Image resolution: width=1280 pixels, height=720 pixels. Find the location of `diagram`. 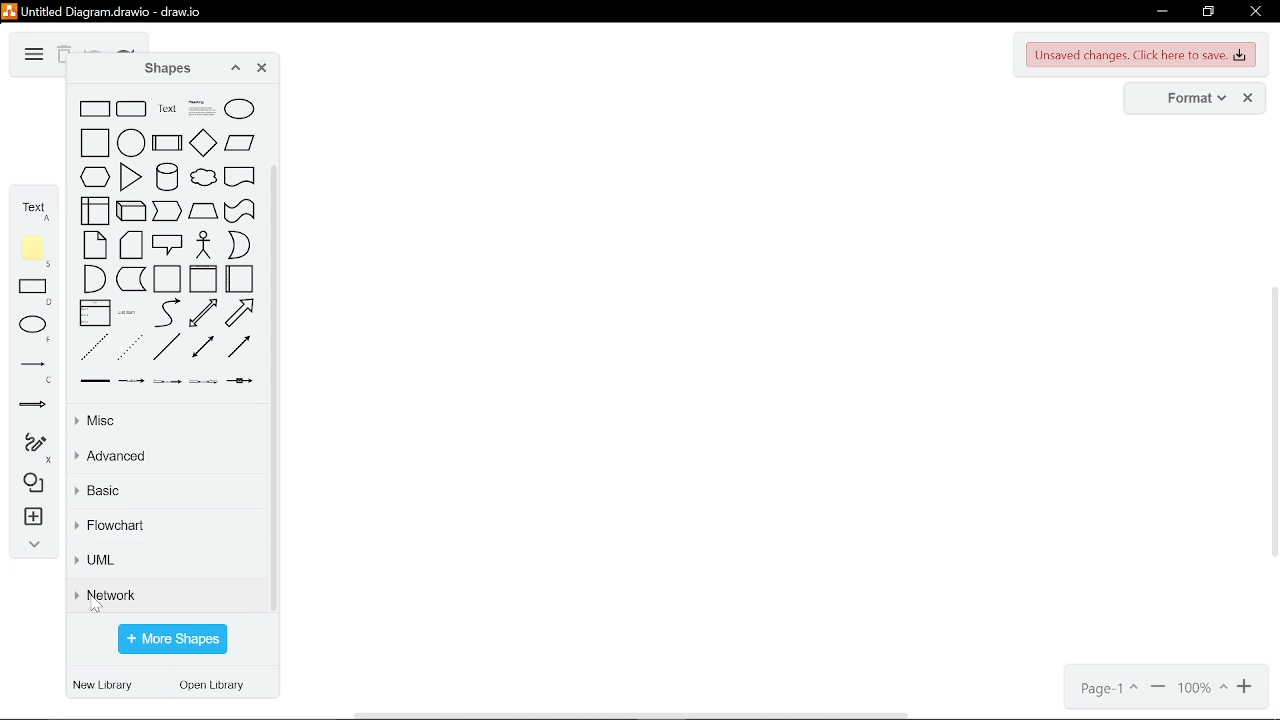

diagram is located at coordinates (32, 55).